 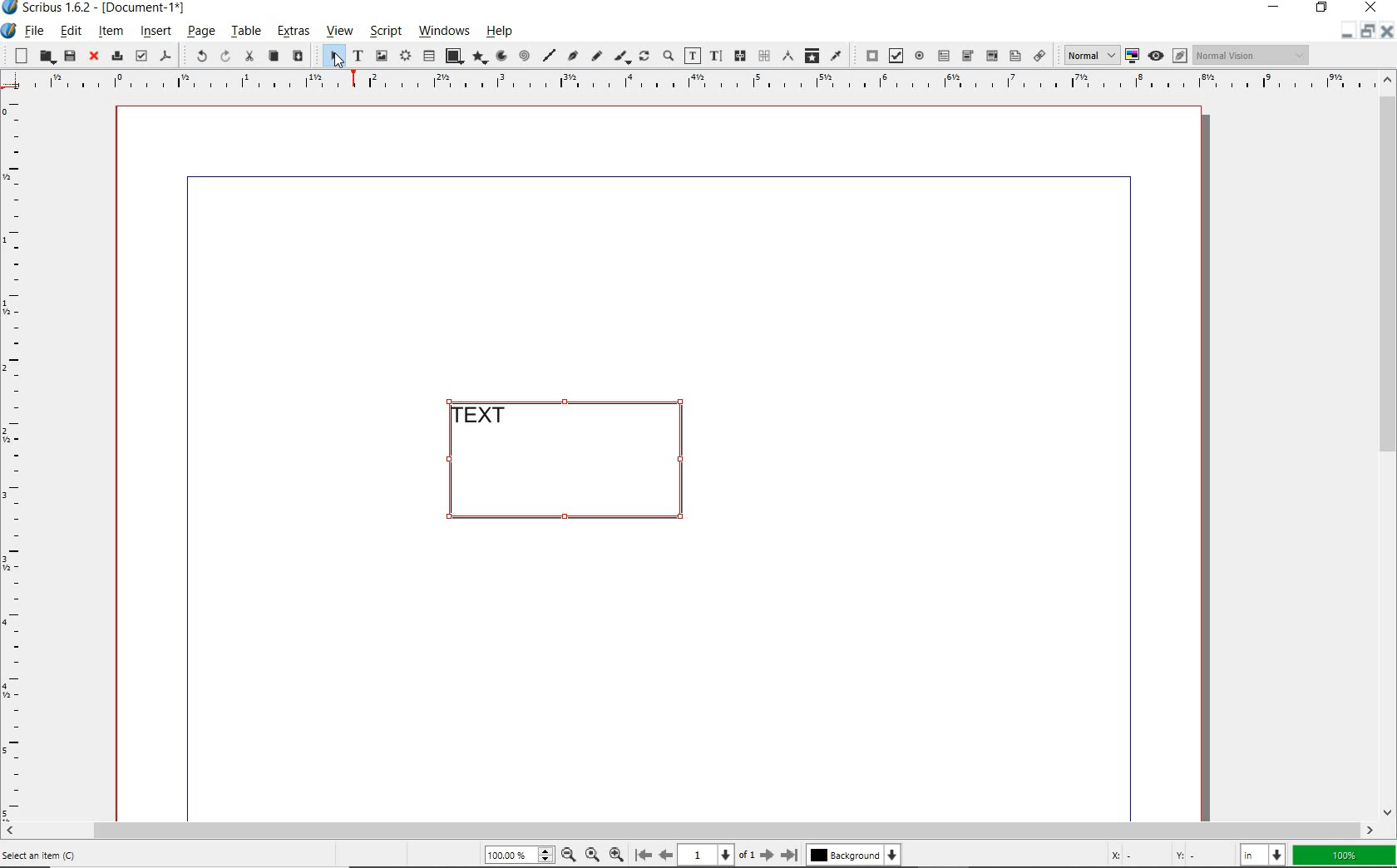 I want to click on link text frames, so click(x=741, y=56).